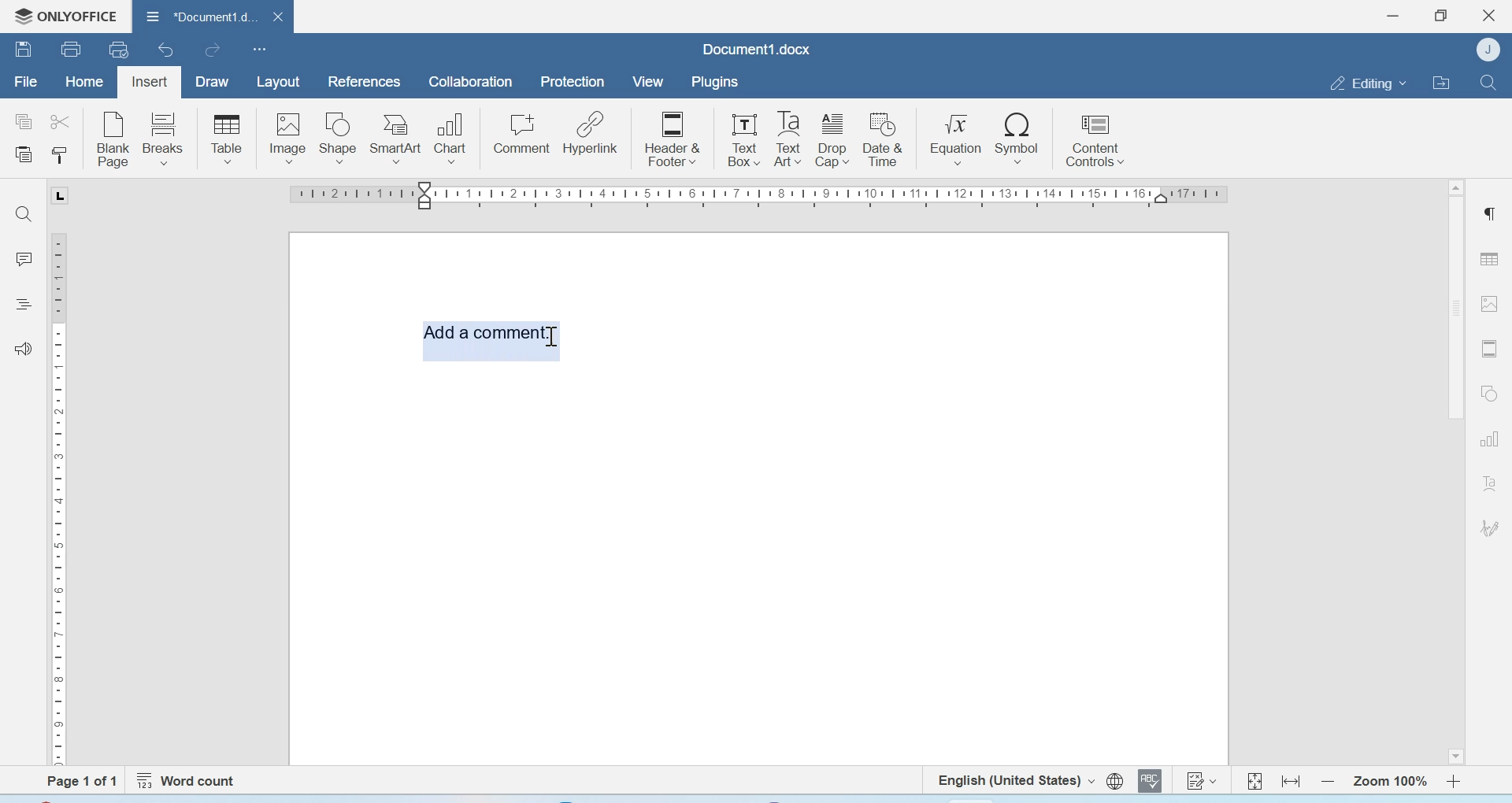 The image size is (1512, 803). I want to click on Layout, so click(277, 83).